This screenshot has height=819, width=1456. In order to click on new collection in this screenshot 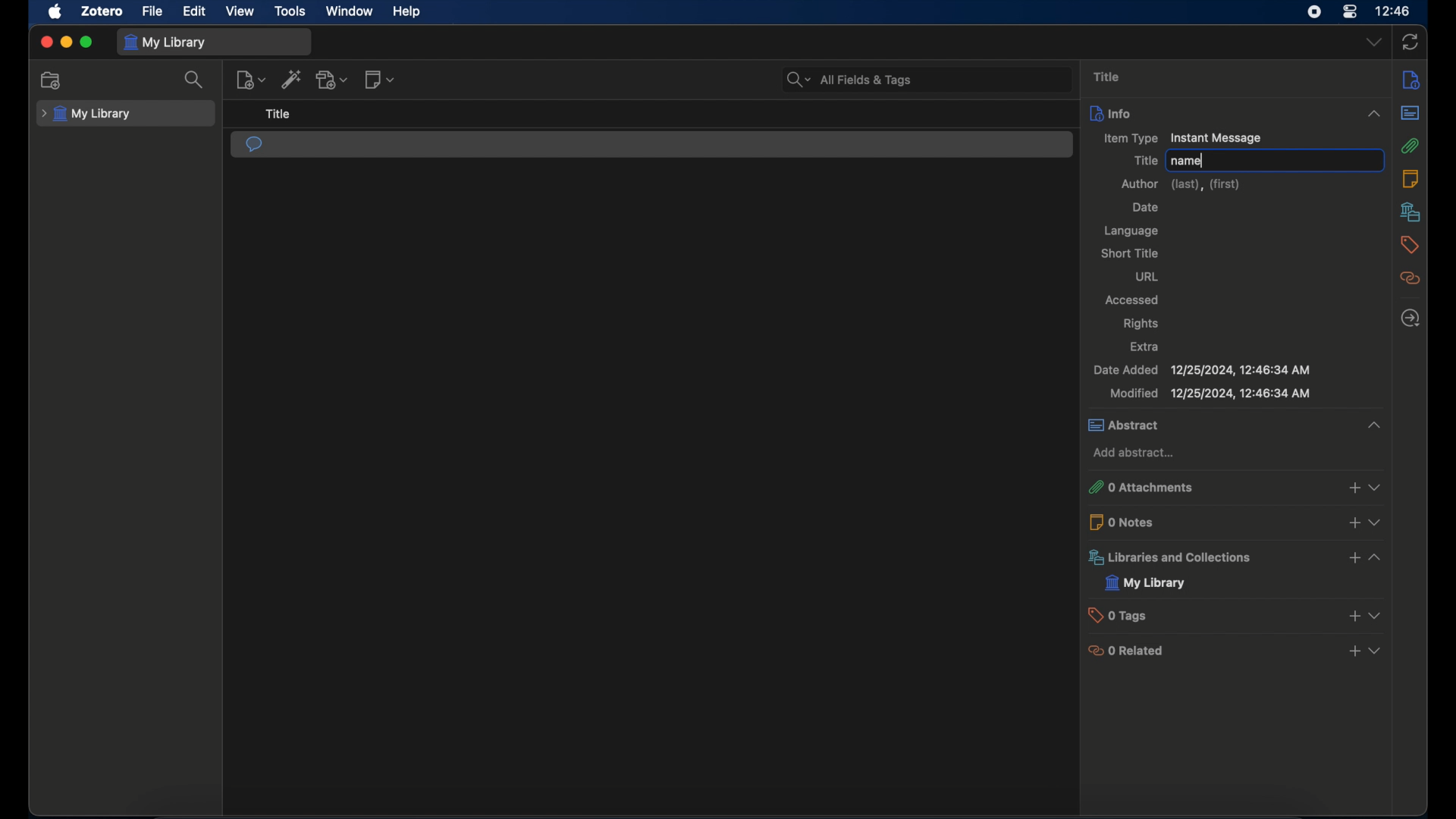, I will do `click(52, 80)`.